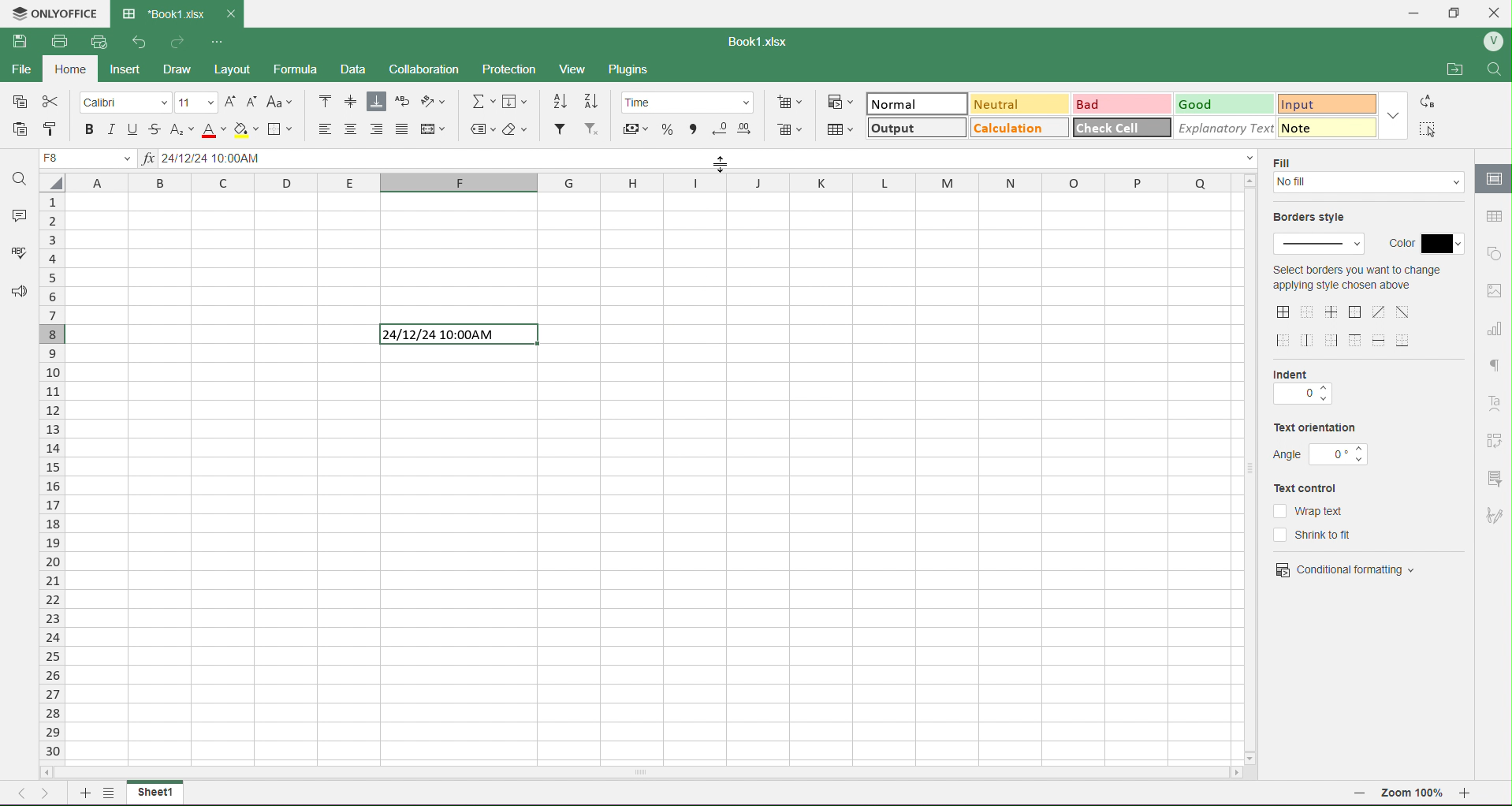  I want to click on scroll up, so click(1248, 181).